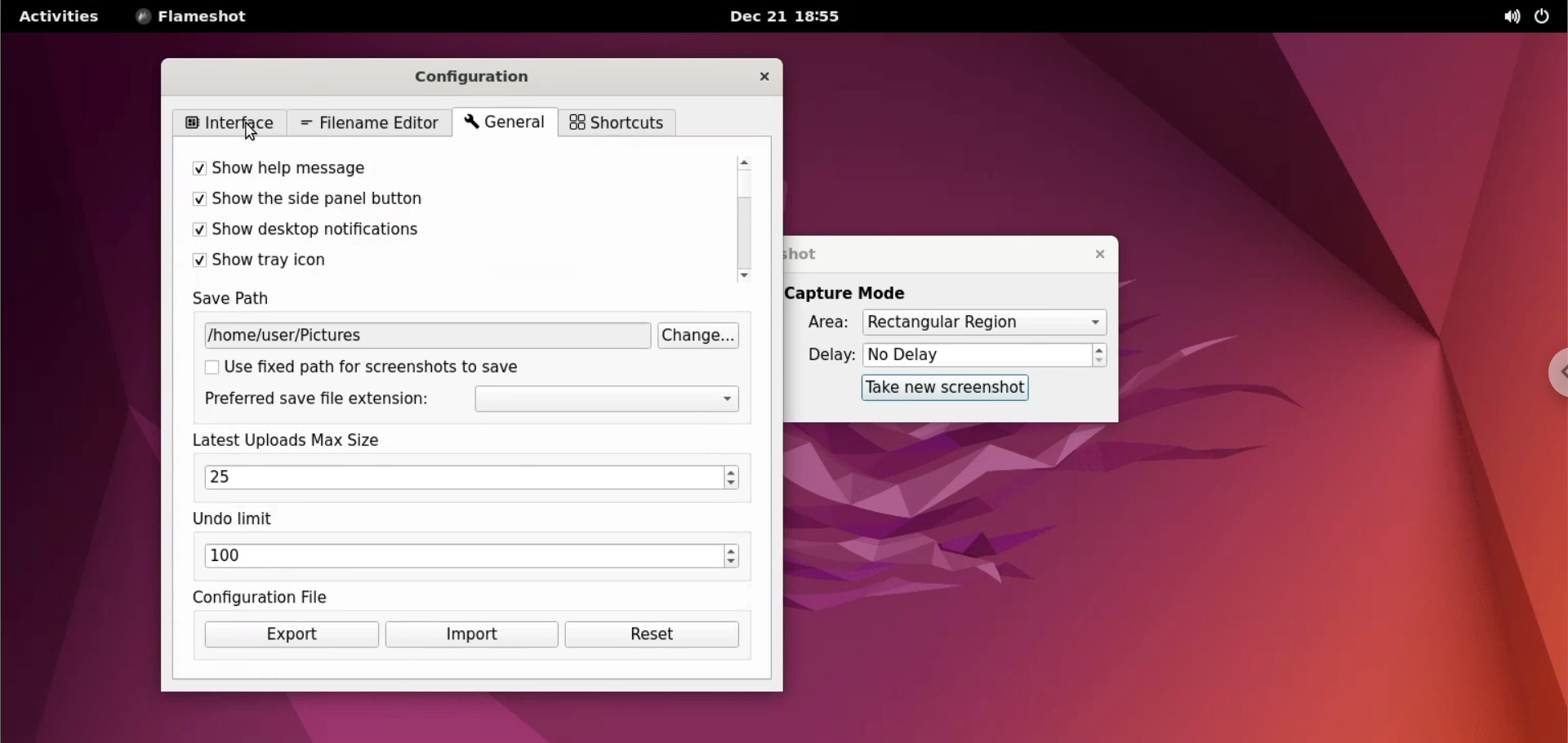 This screenshot has height=743, width=1568. Describe the element at coordinates (376, 371) in the screenshot. I see `use fixed path for screenshot to save` at that location.